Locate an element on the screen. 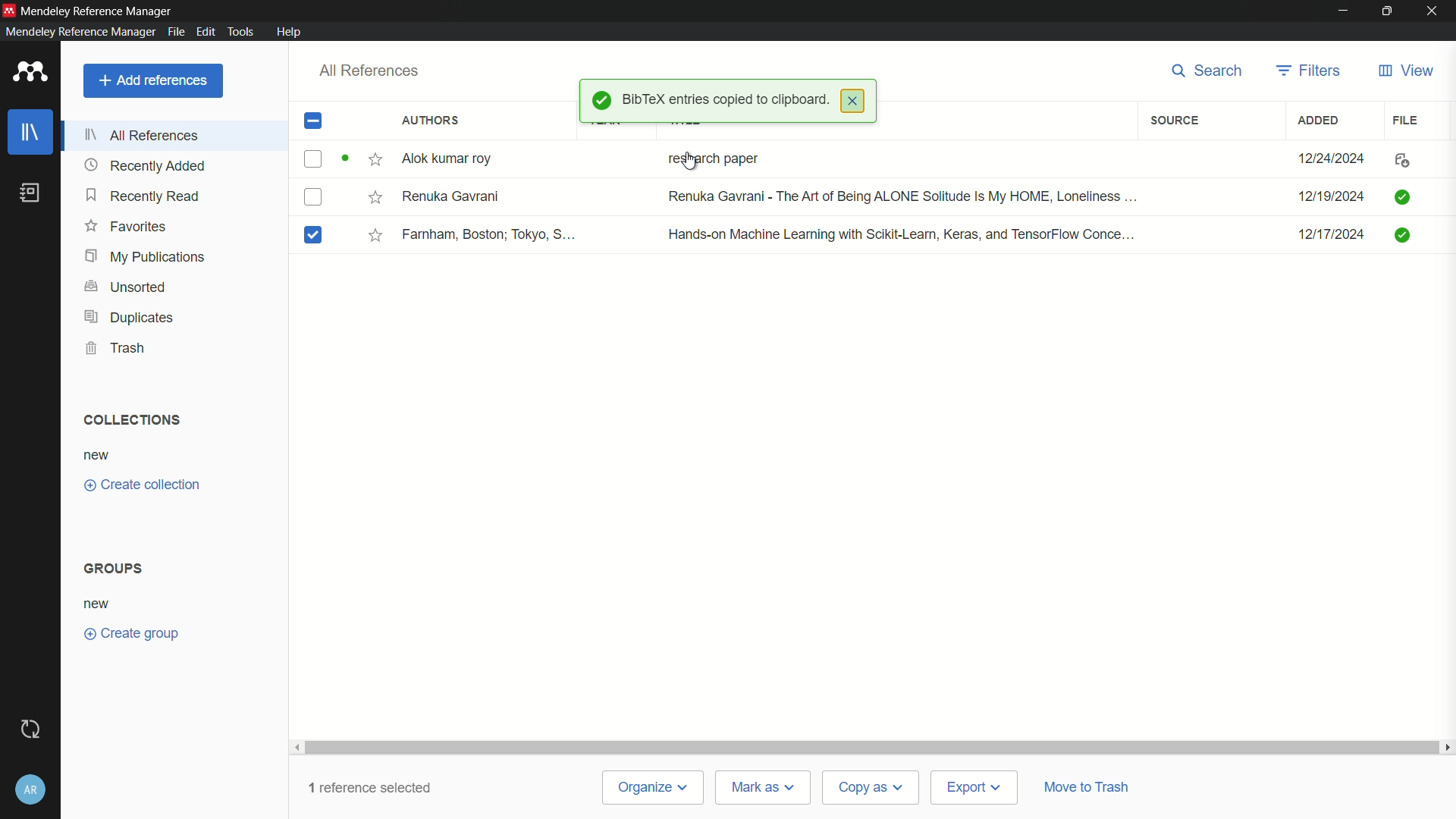 The width and height of the screenshot is (1456, 819). source is located at coordinates (1178, 120).